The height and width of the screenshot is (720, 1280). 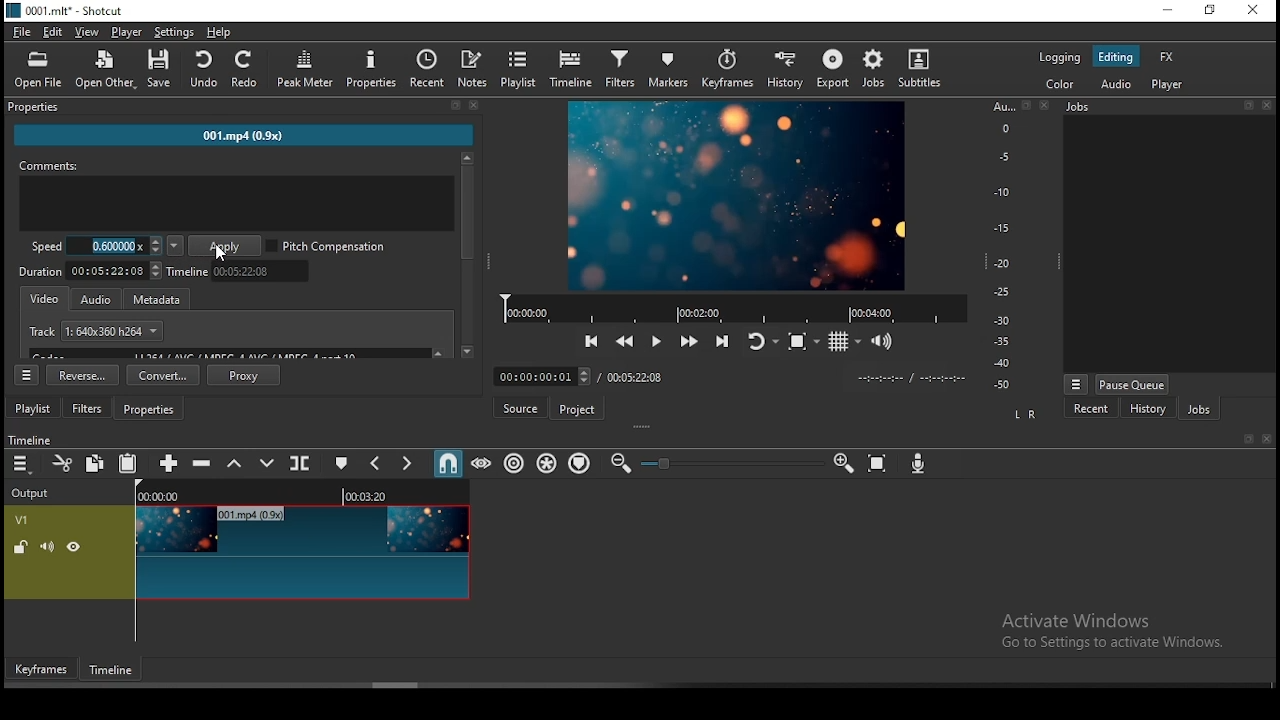 I want to click on player, so click(x=1167, y=84).